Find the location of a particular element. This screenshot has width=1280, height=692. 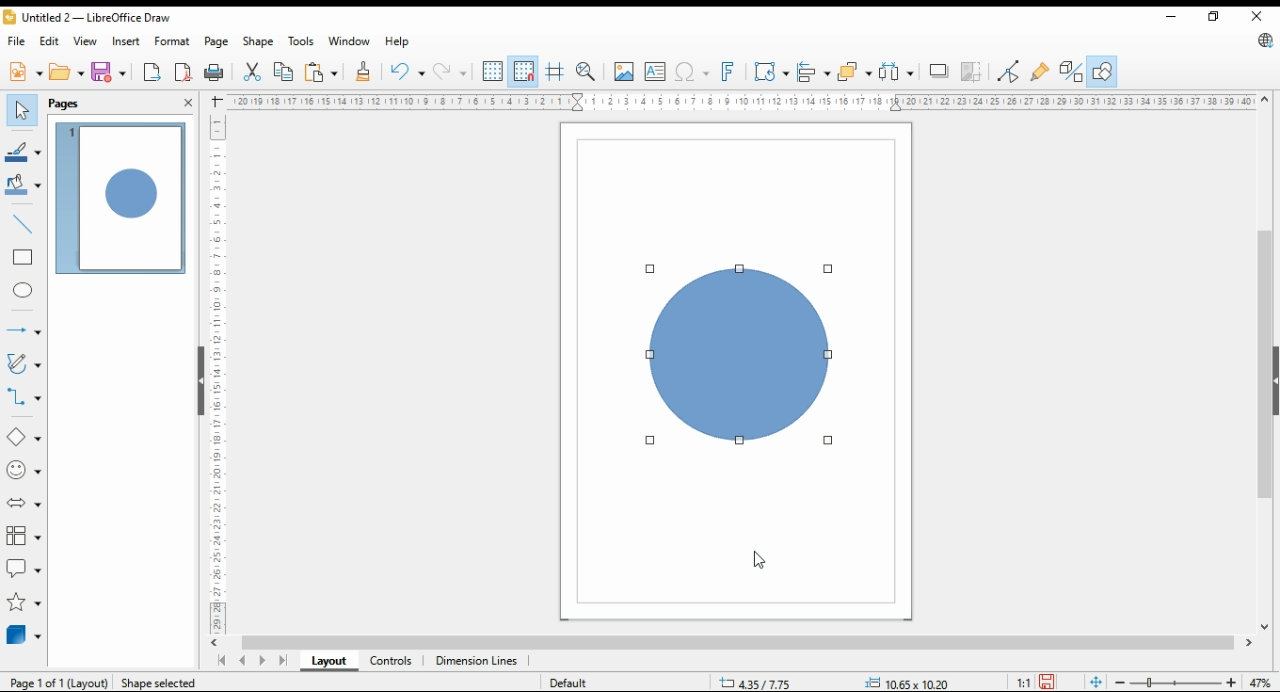

untitled 2 - libreoffice draw is located at coordinates (94, 19).